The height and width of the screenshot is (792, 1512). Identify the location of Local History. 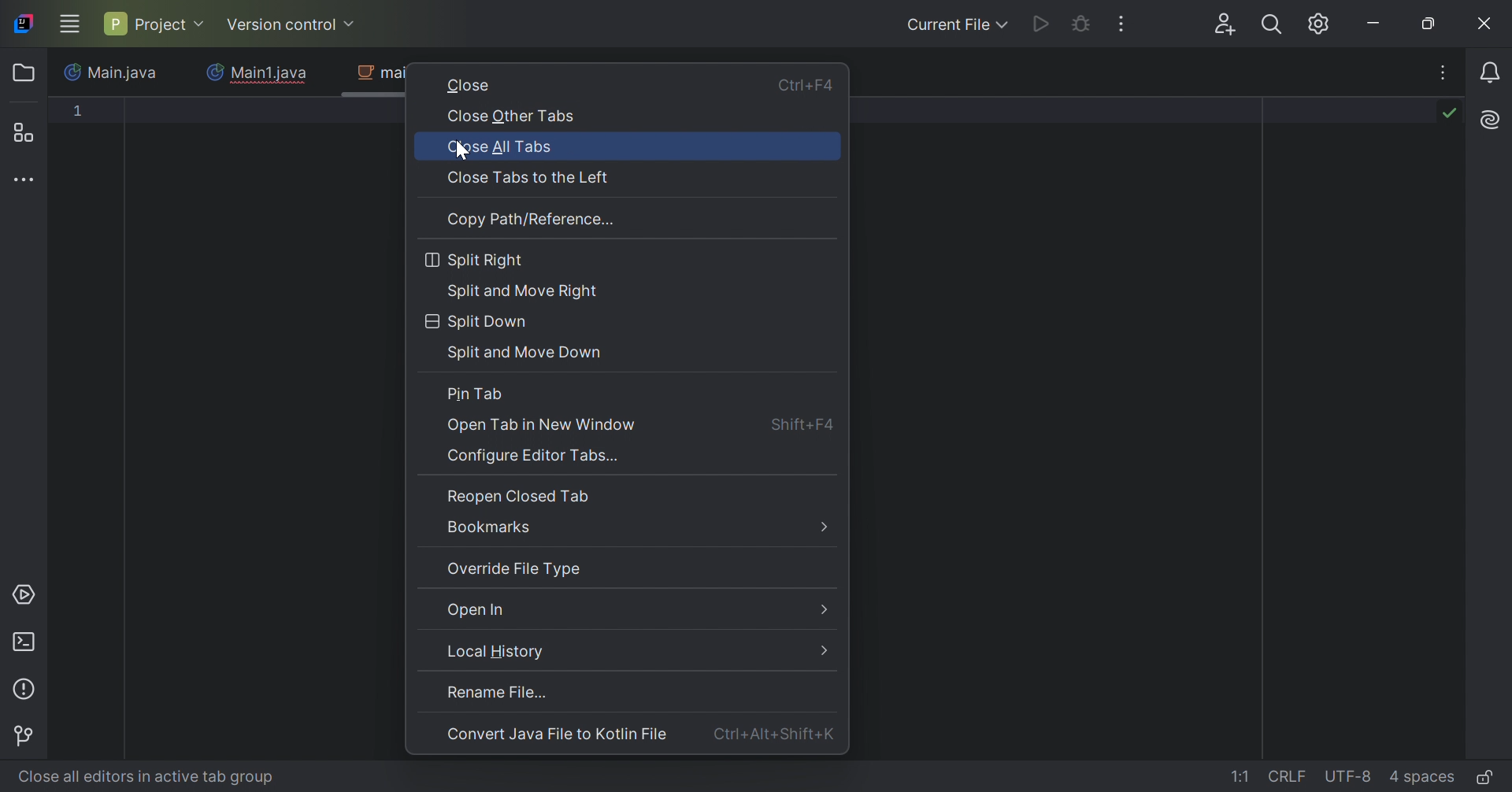
(626, 651).